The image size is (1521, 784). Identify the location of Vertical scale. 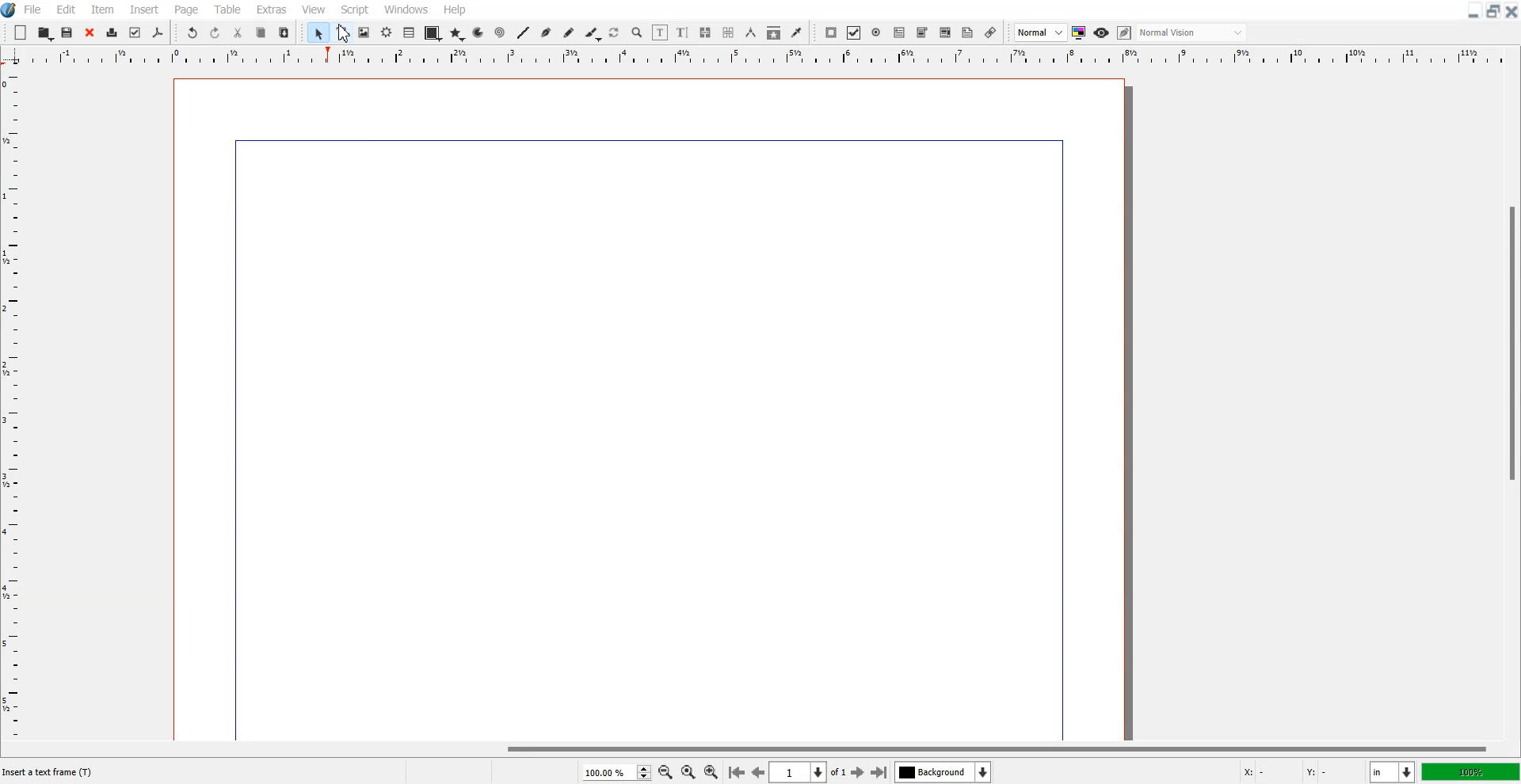
(11, 393).